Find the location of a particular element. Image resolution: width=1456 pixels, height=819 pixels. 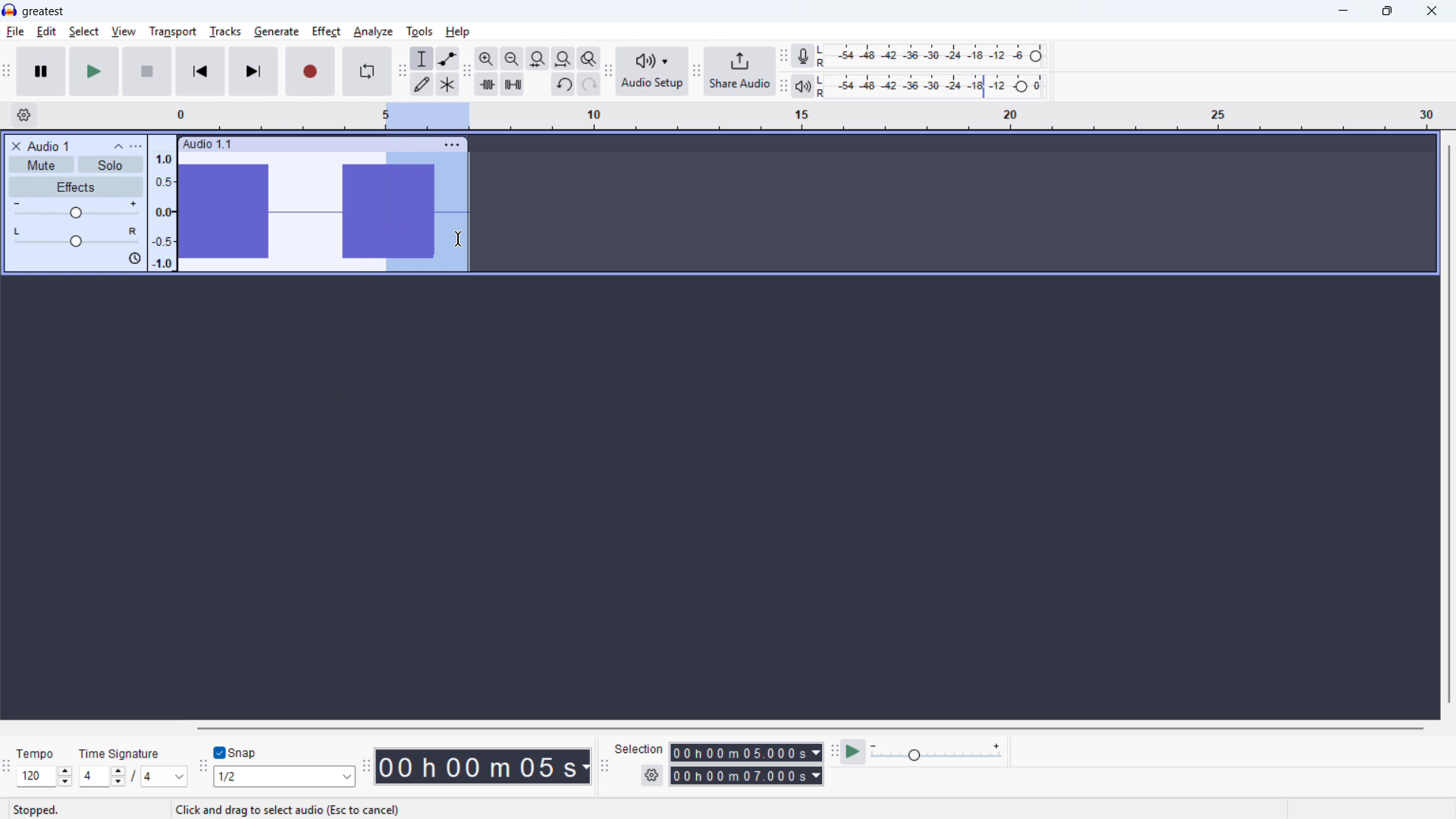

Selection toolbar  is located at coordinates (607, 768).